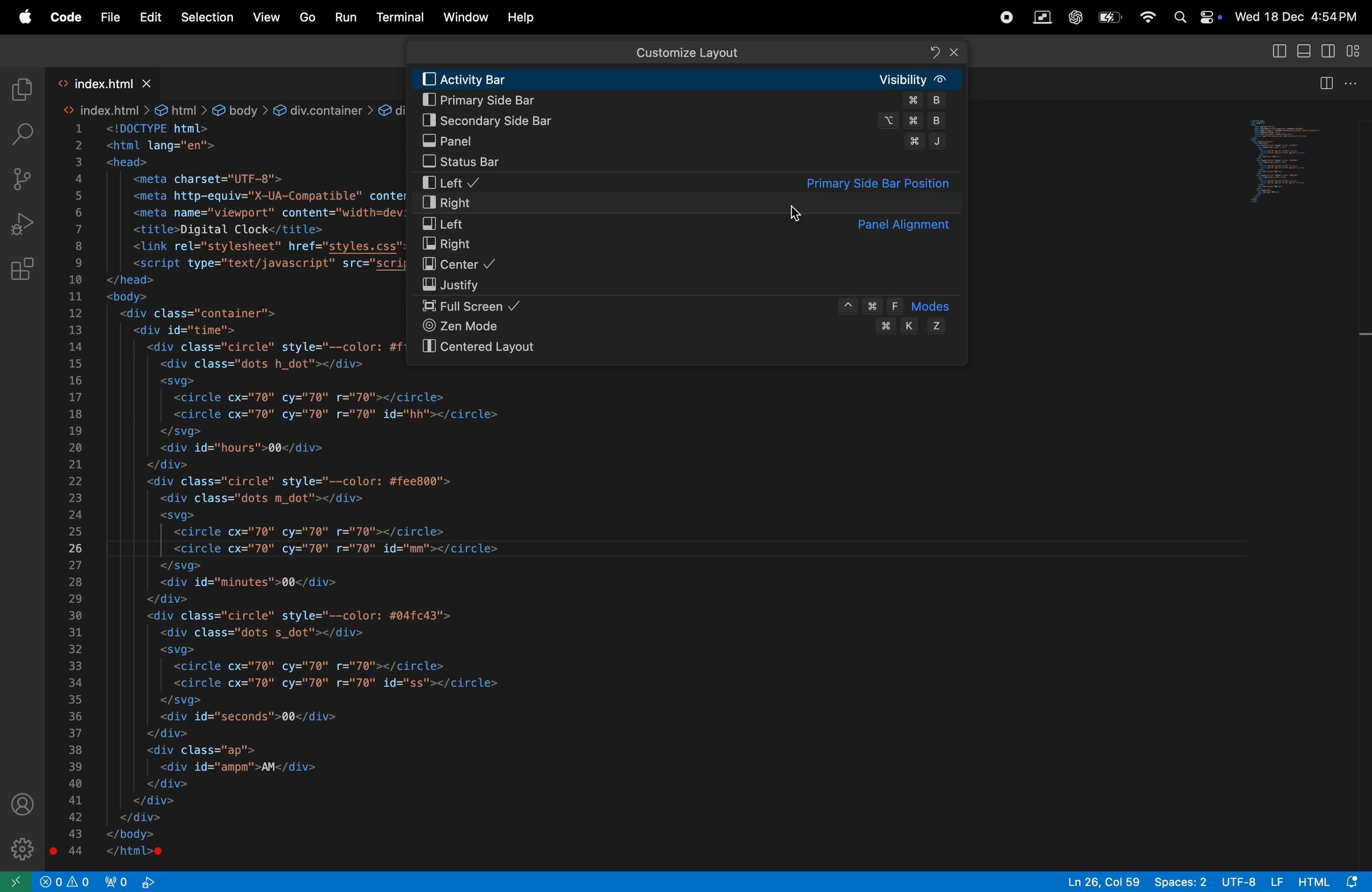 The width and height of the screenshot is (1372, 892). I want to click on left, so click(694, 224).